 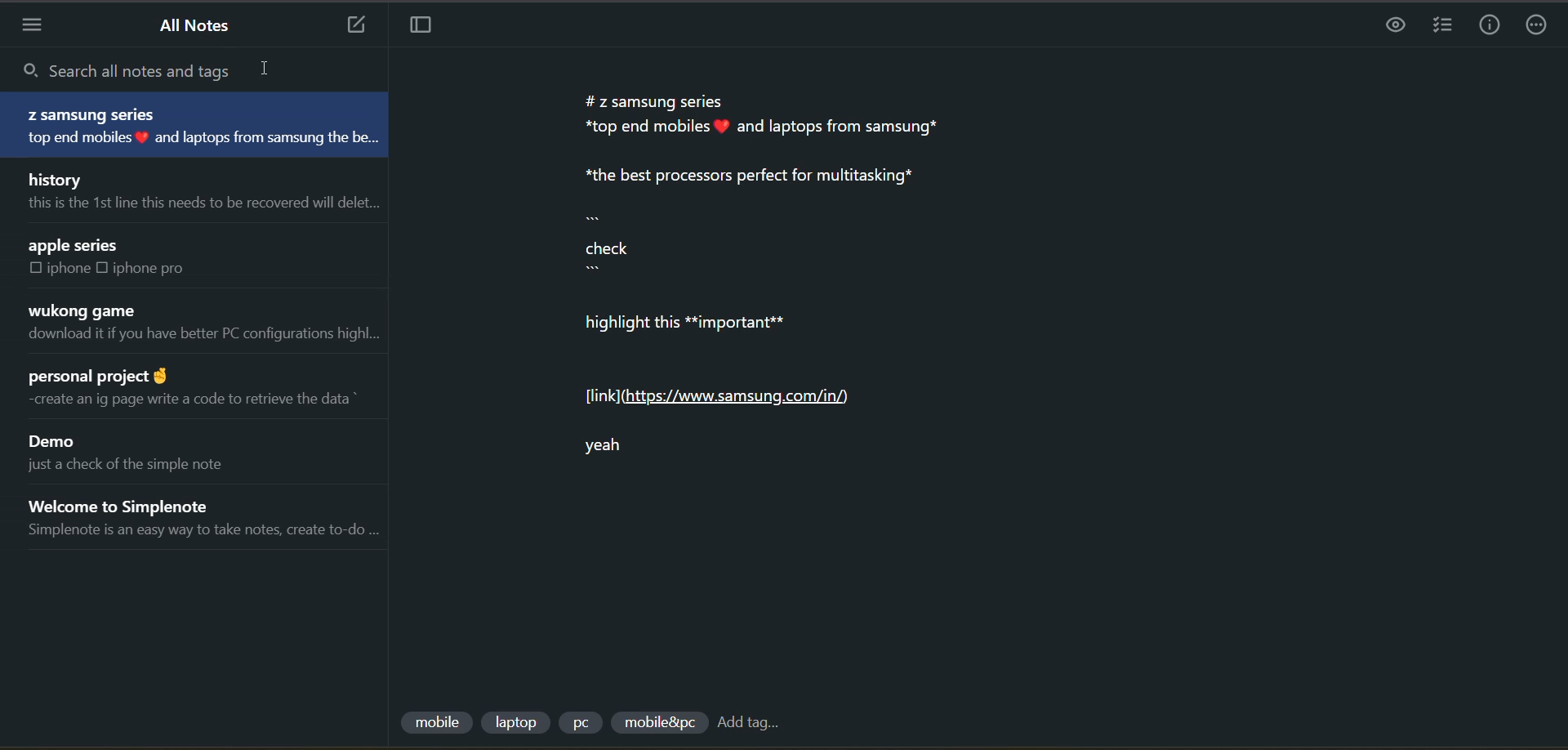 What do you see at coordinates (517, 720) in the screenshot?
I see `laptop` at bounding box center [517, 720].